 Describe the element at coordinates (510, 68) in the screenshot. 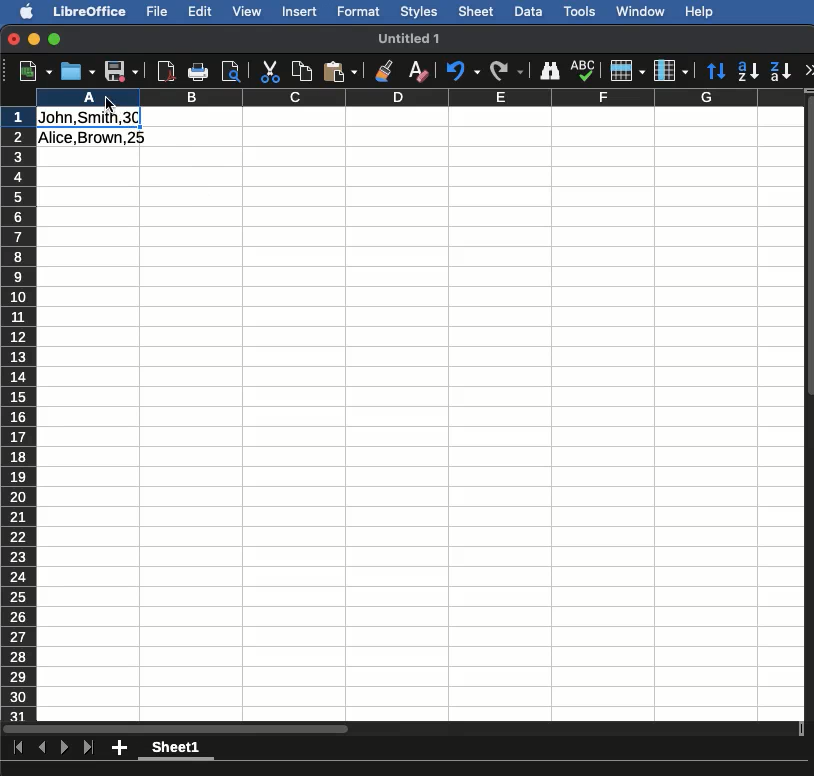

I see `Redo` at that location.